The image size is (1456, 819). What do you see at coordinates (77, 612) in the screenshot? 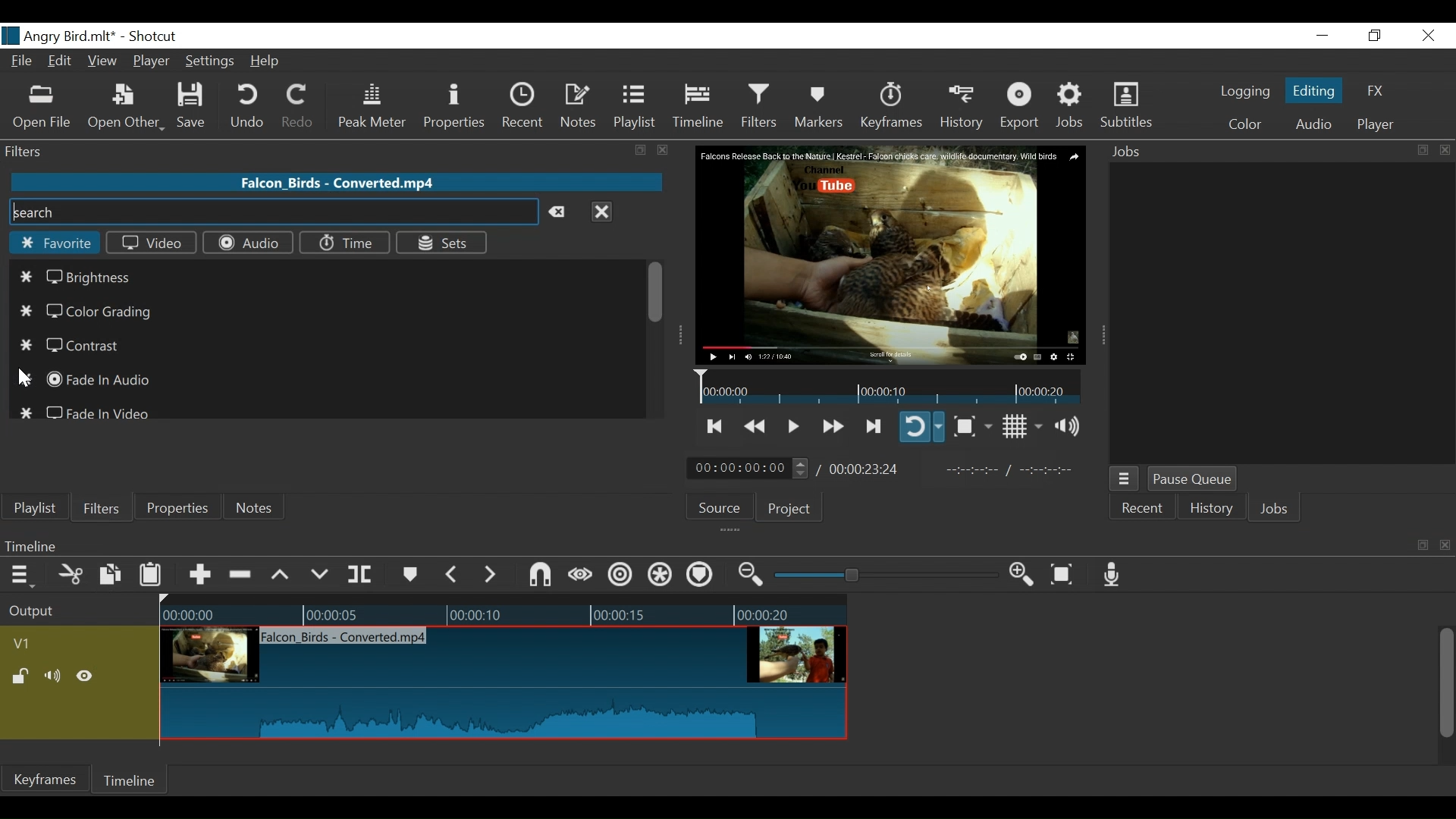
I see `Output` at bounding box center [77, 612].